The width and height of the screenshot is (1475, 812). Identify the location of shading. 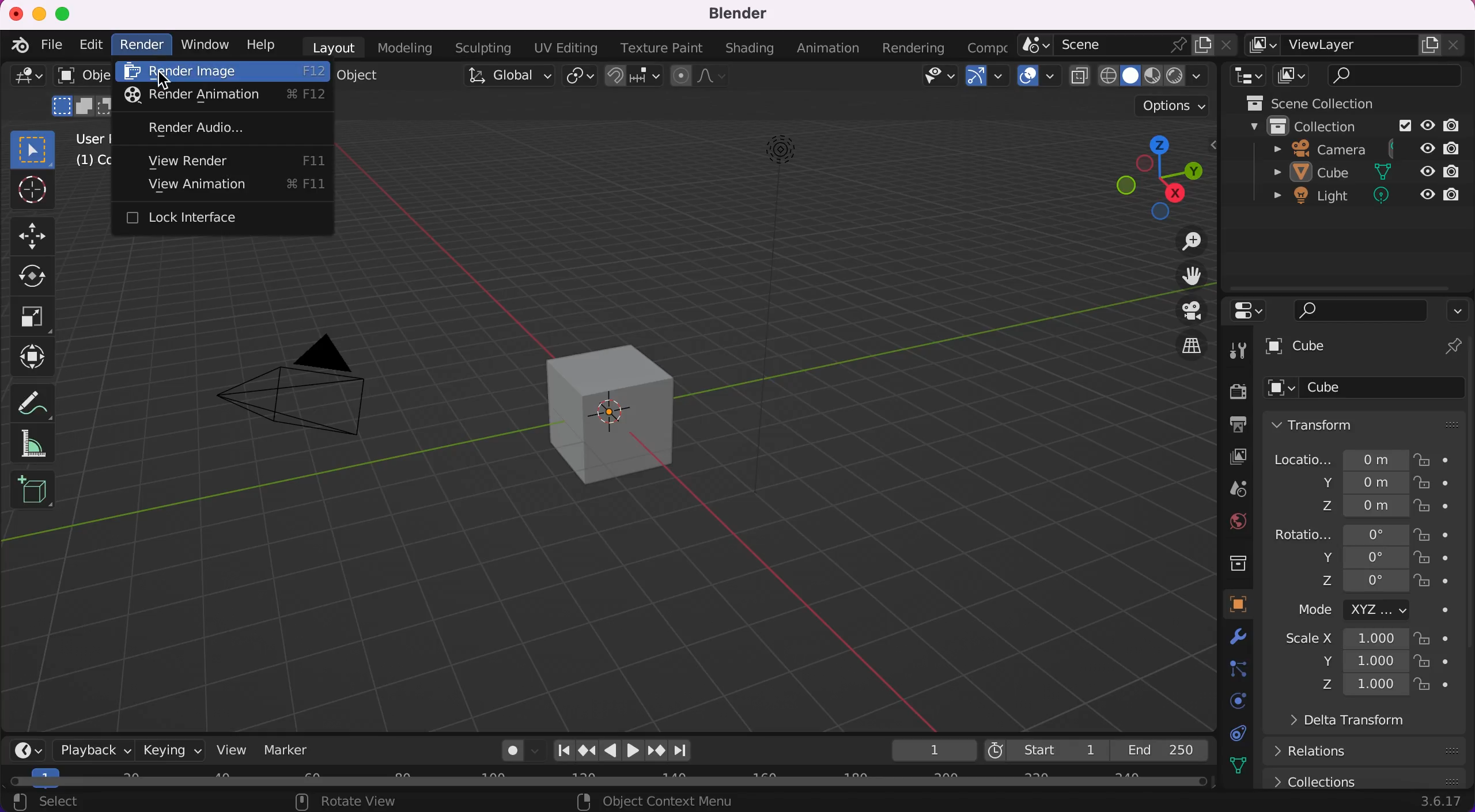
(1155, 77).